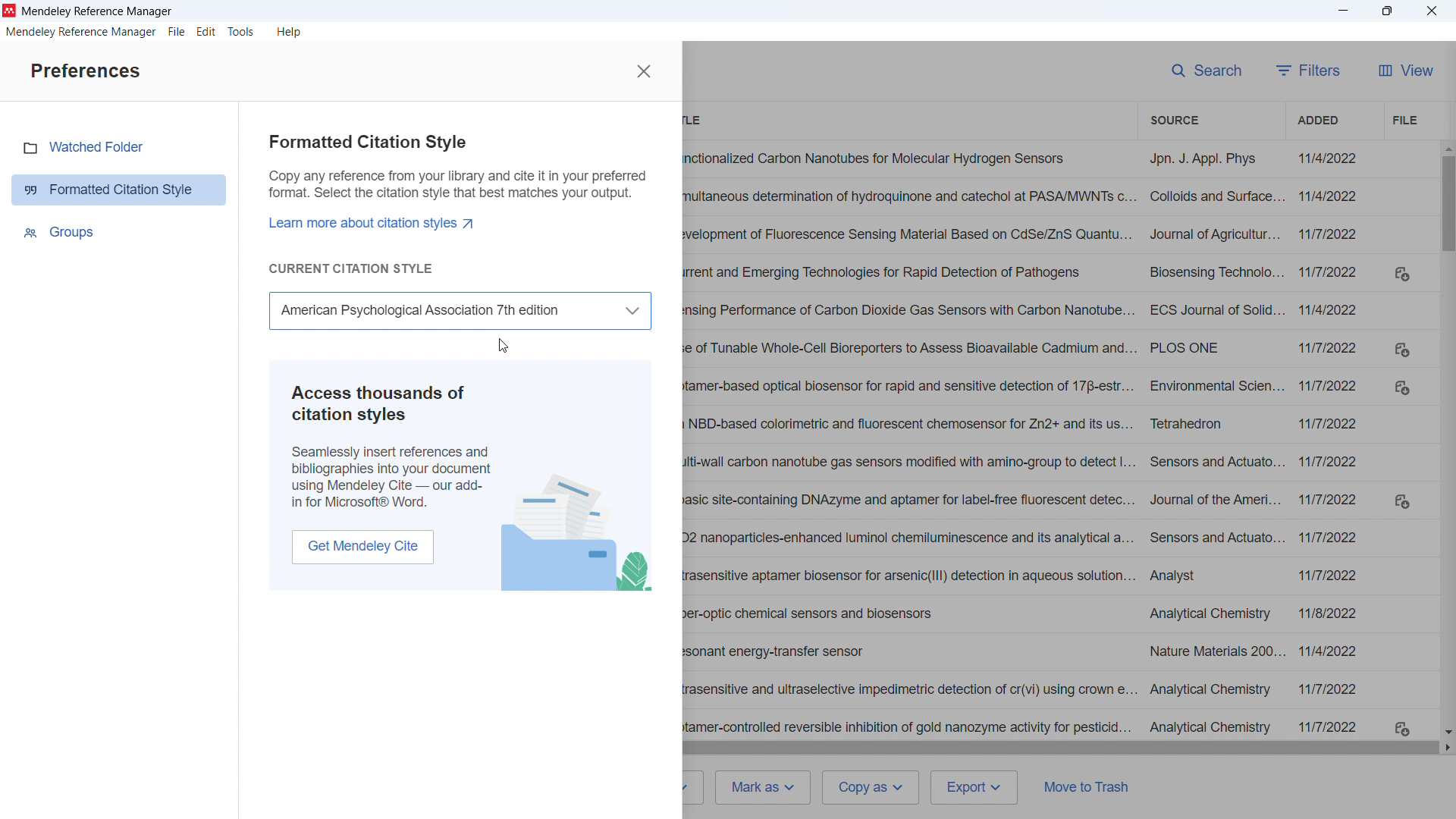 The width and height of the screenshot is (1456, 819). What do you see at coordinates (121, 190) in the screenshot?
I see `Formatted citation style ` at bounding box center [121, 190].